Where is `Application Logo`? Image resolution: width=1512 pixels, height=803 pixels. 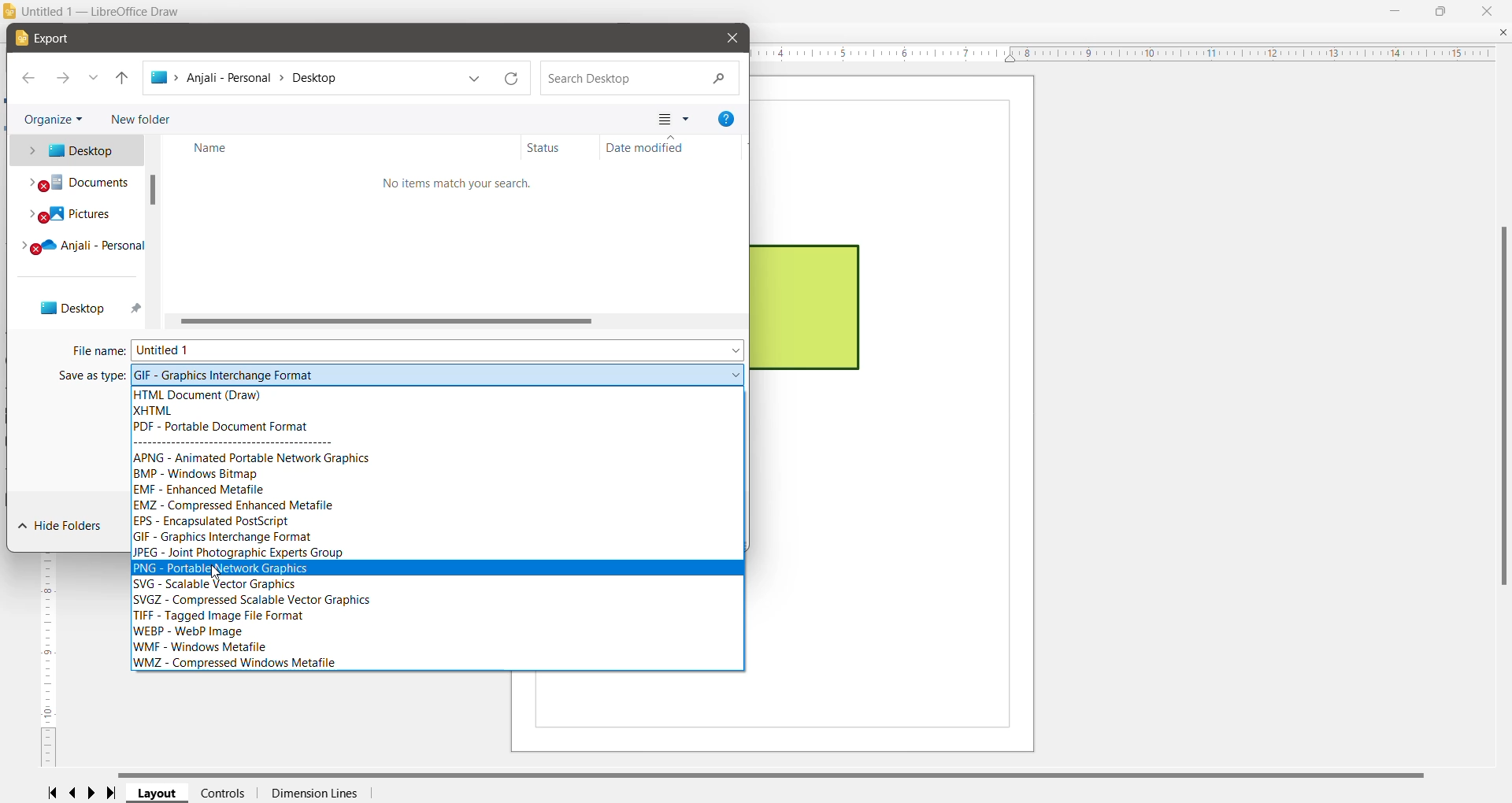 Application Logo is located at coordinates (10, 13).